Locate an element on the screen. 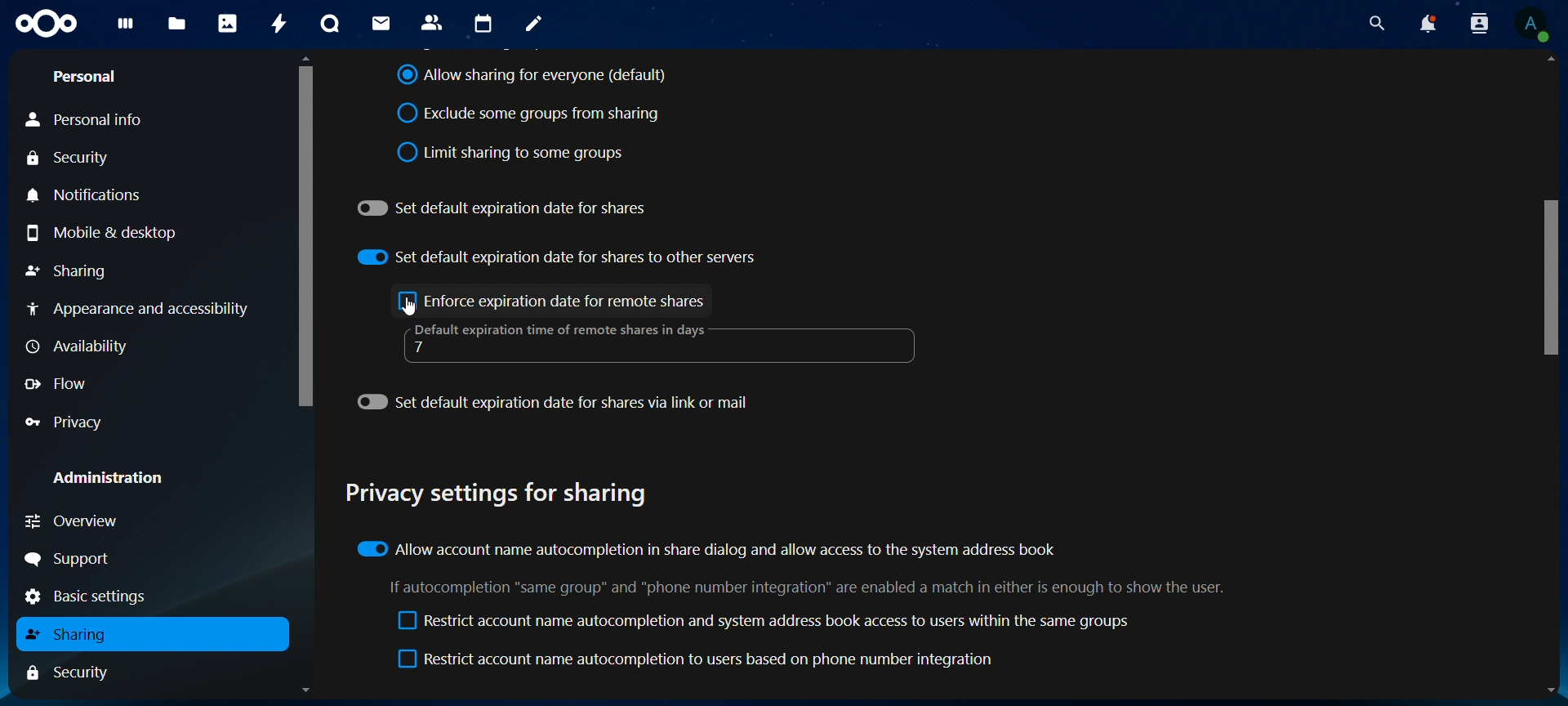  flow is located at coordinates (60, 383).